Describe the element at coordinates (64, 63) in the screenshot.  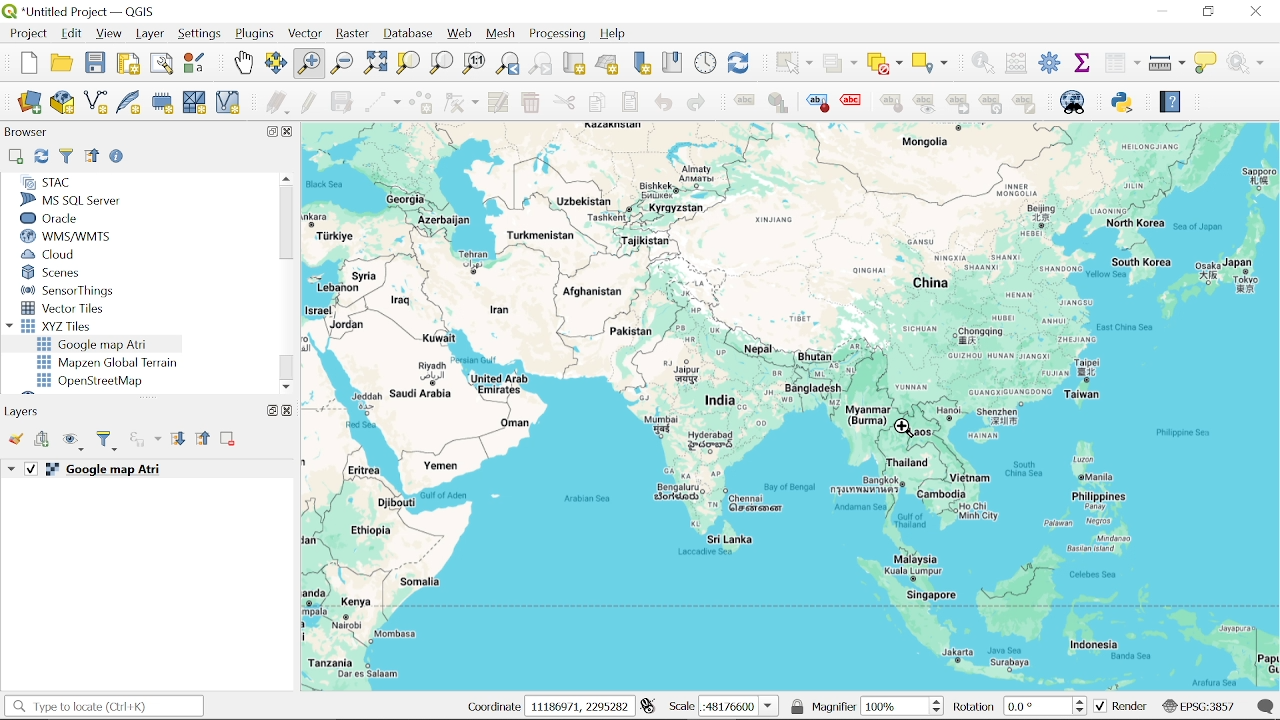
I see `Open project` at that location.